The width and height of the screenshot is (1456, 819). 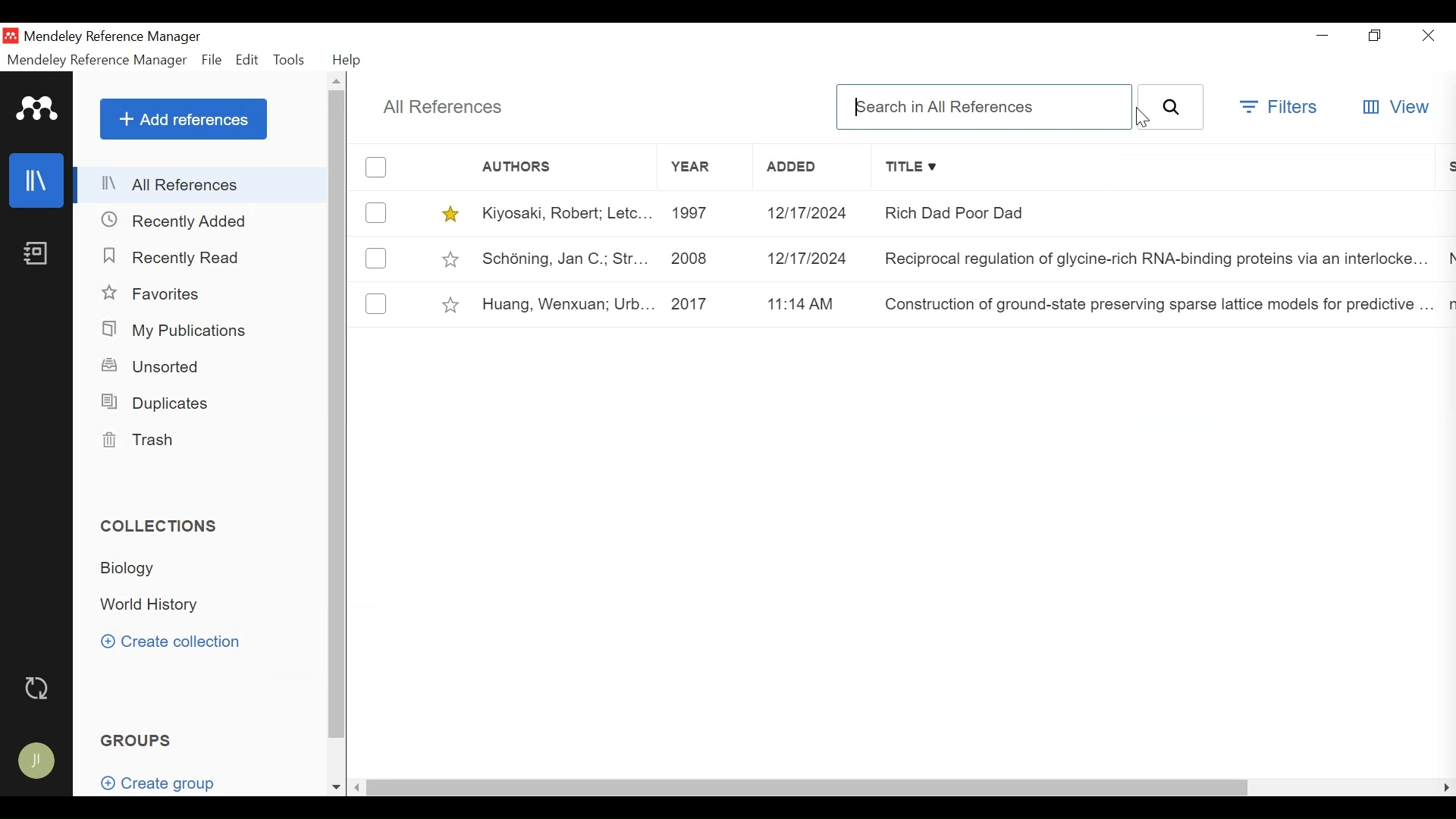 I want to click on (un)select, so click(x=376, y=303).